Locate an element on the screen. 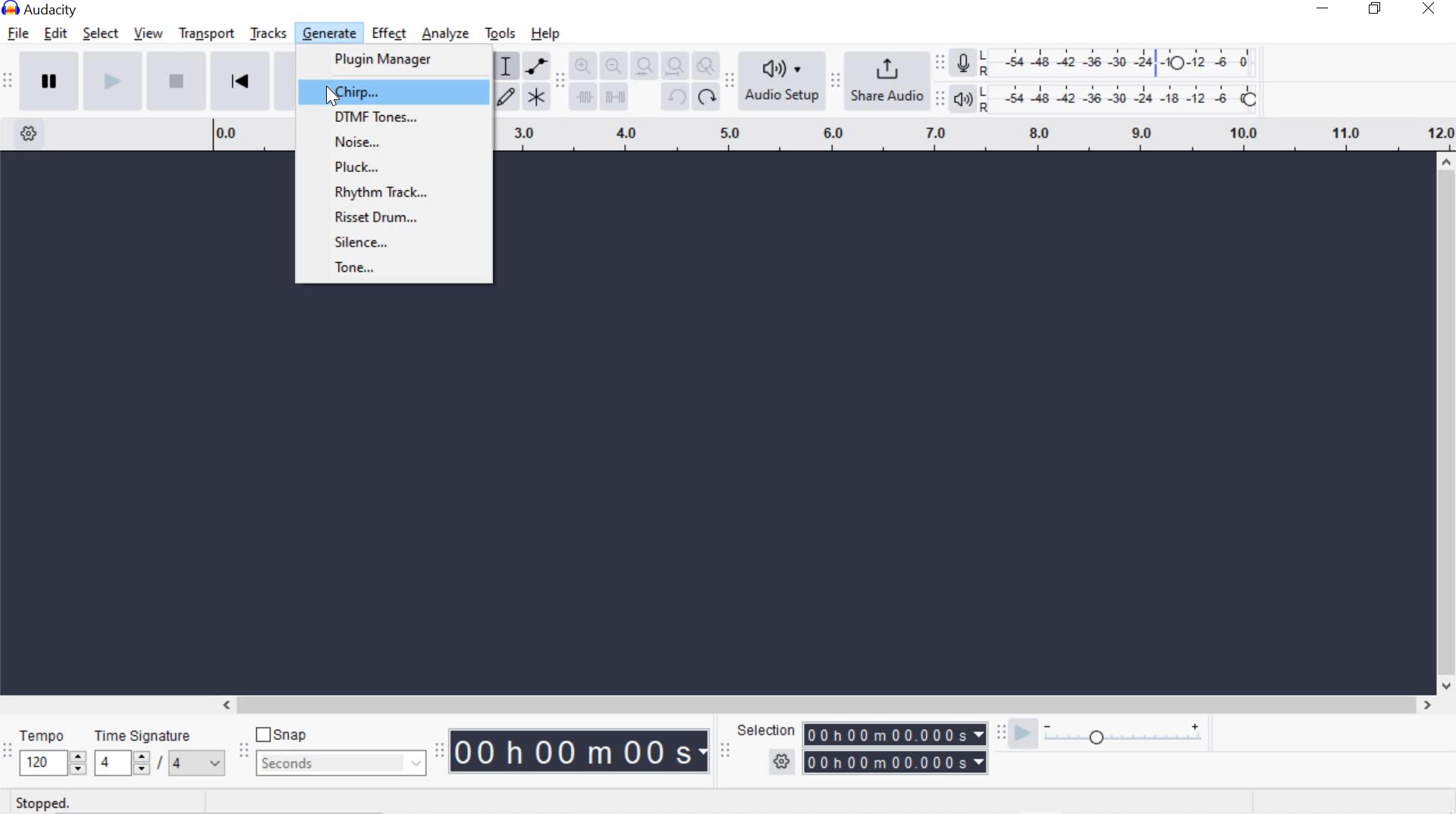 The height and width of the screenshot is (814, 1456). time audio outside selection is located at coordinates (585, 98).